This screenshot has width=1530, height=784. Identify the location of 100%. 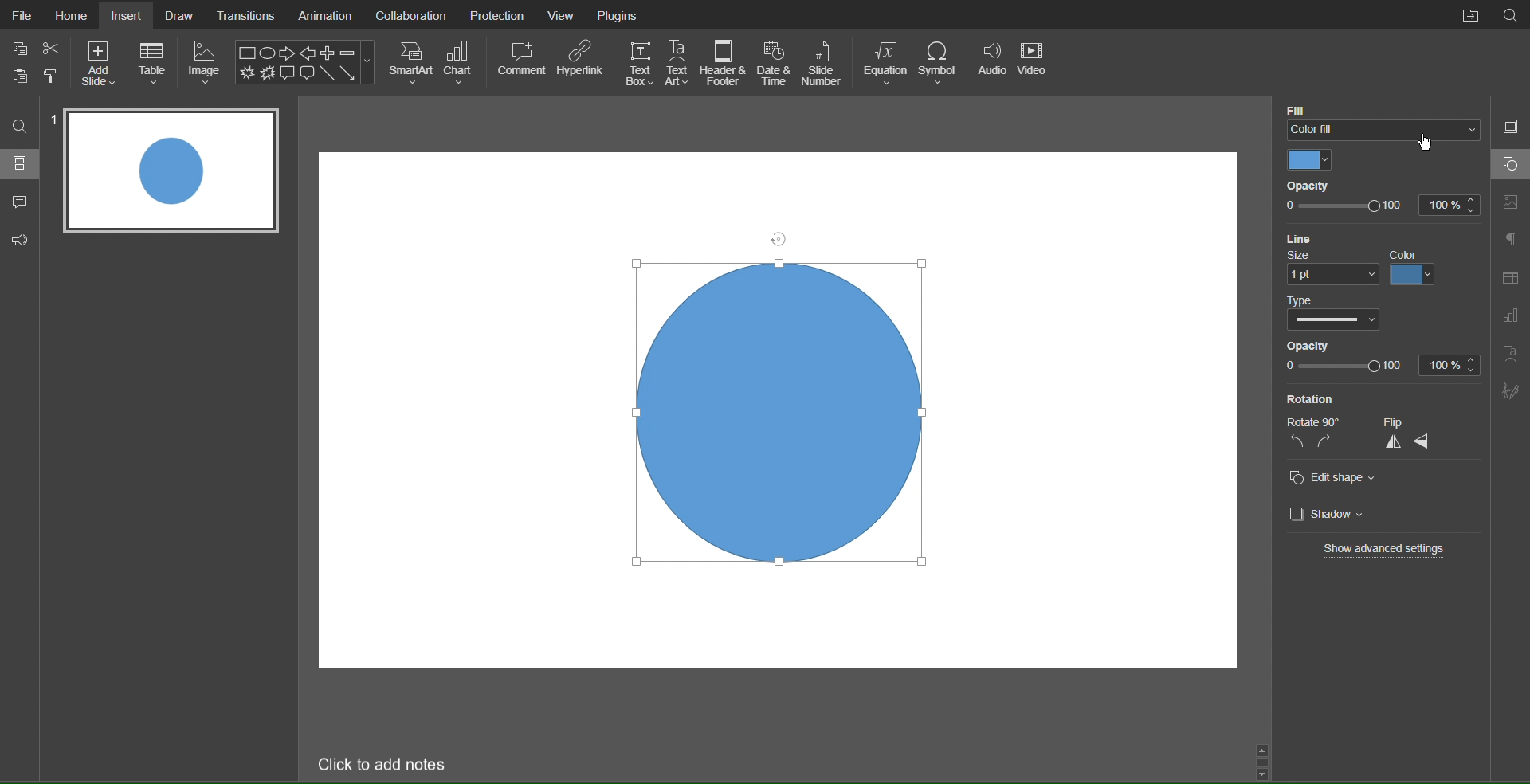
(1453, 365).